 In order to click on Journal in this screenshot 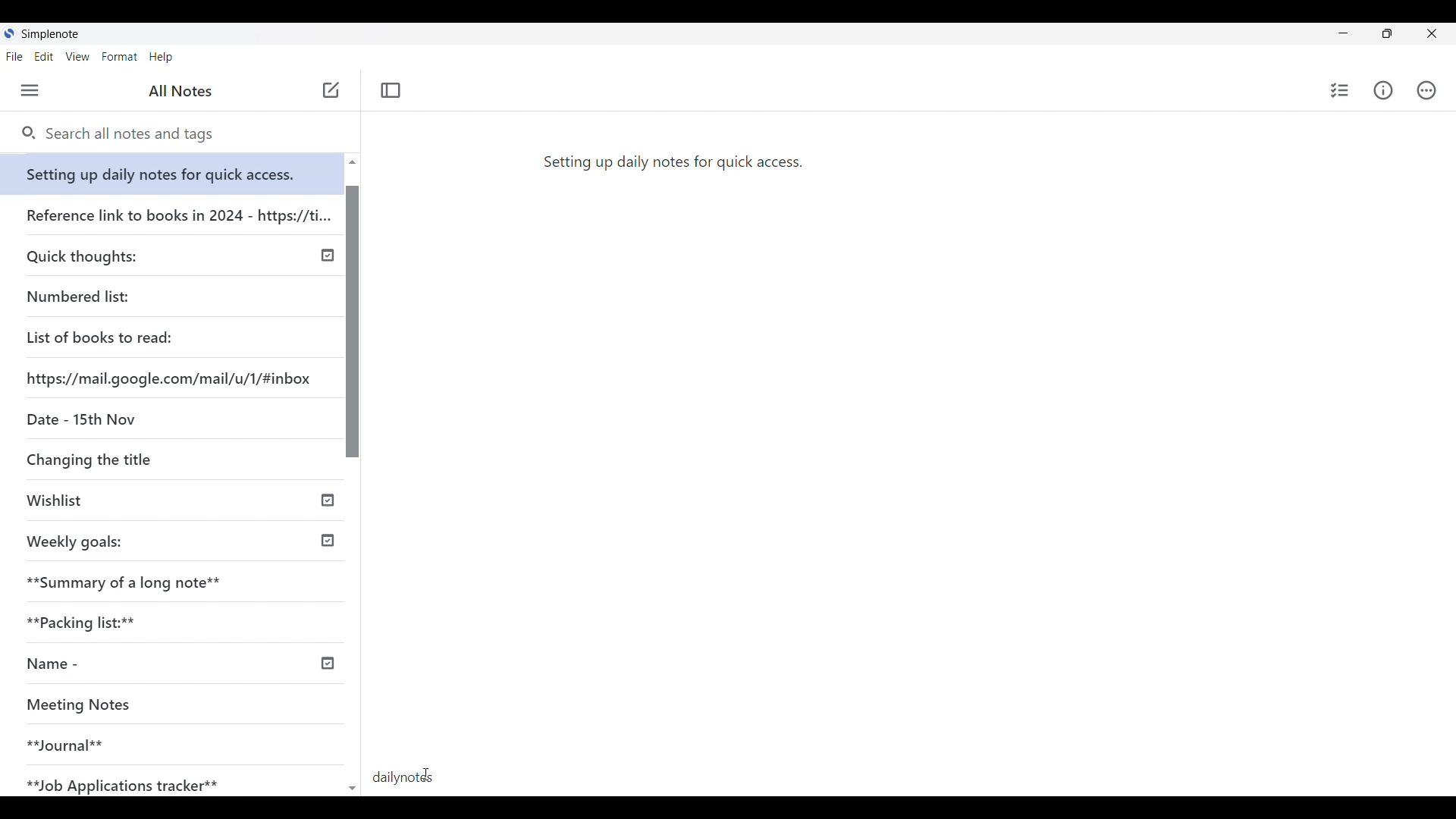, I will do `click(151, 739)`.